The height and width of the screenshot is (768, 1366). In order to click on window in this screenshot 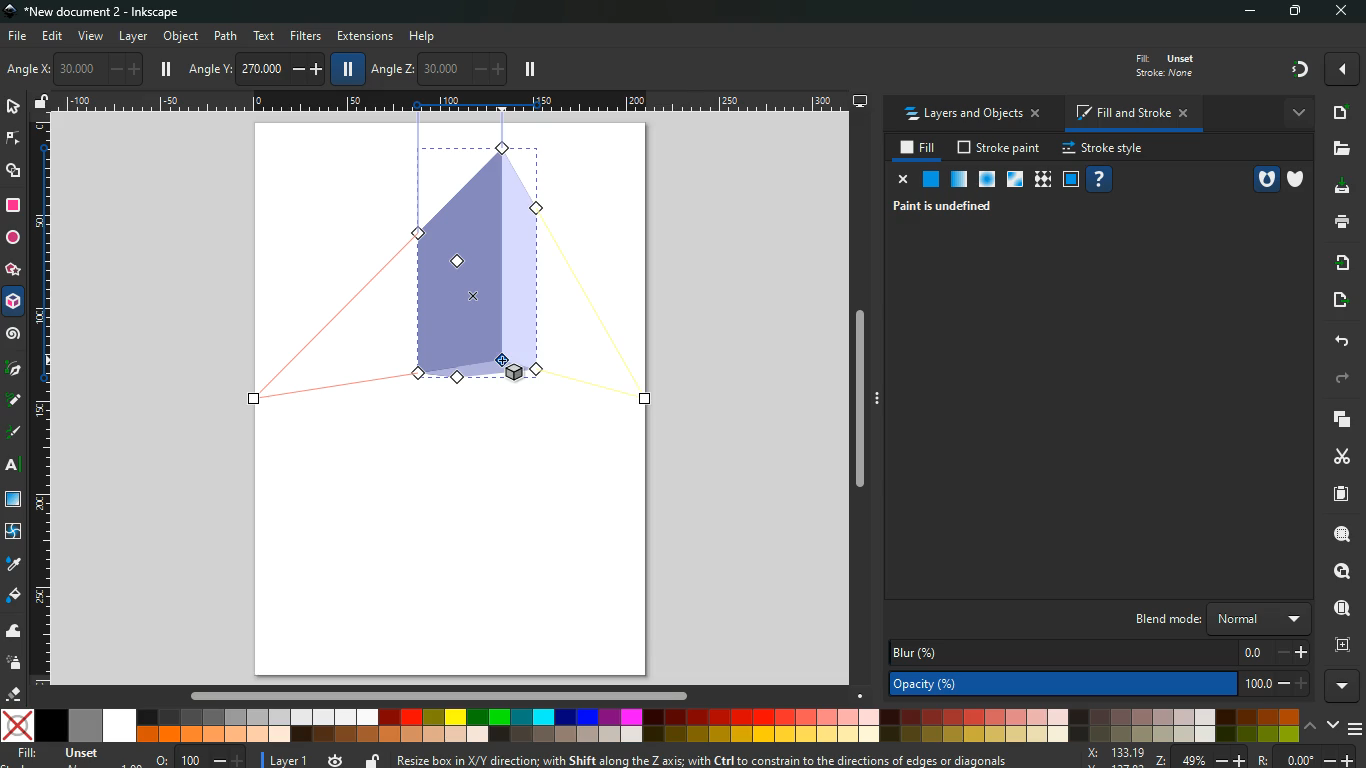, I will do `click(1013, 180)`.